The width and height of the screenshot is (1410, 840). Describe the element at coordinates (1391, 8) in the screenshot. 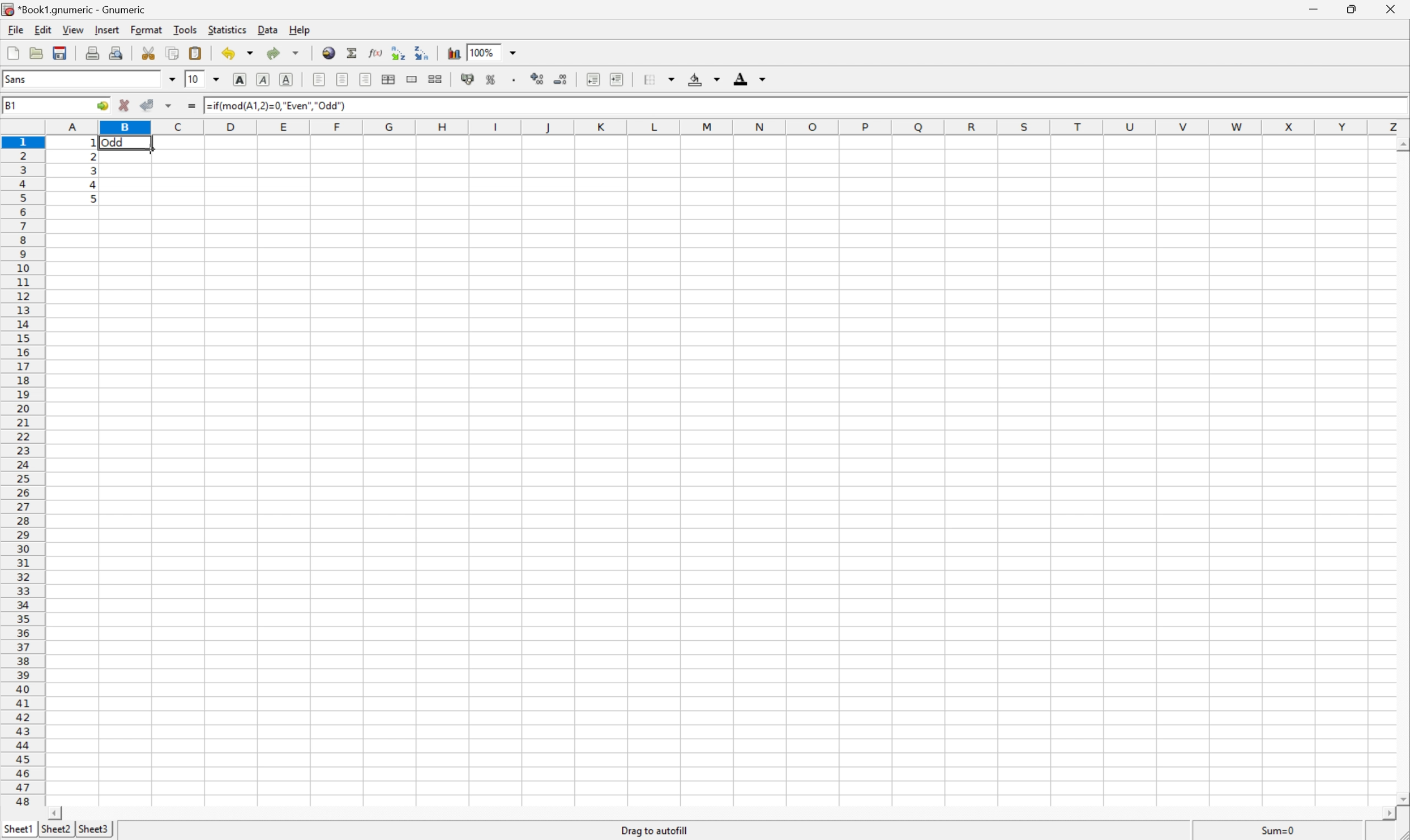

I see `Close` at that location.